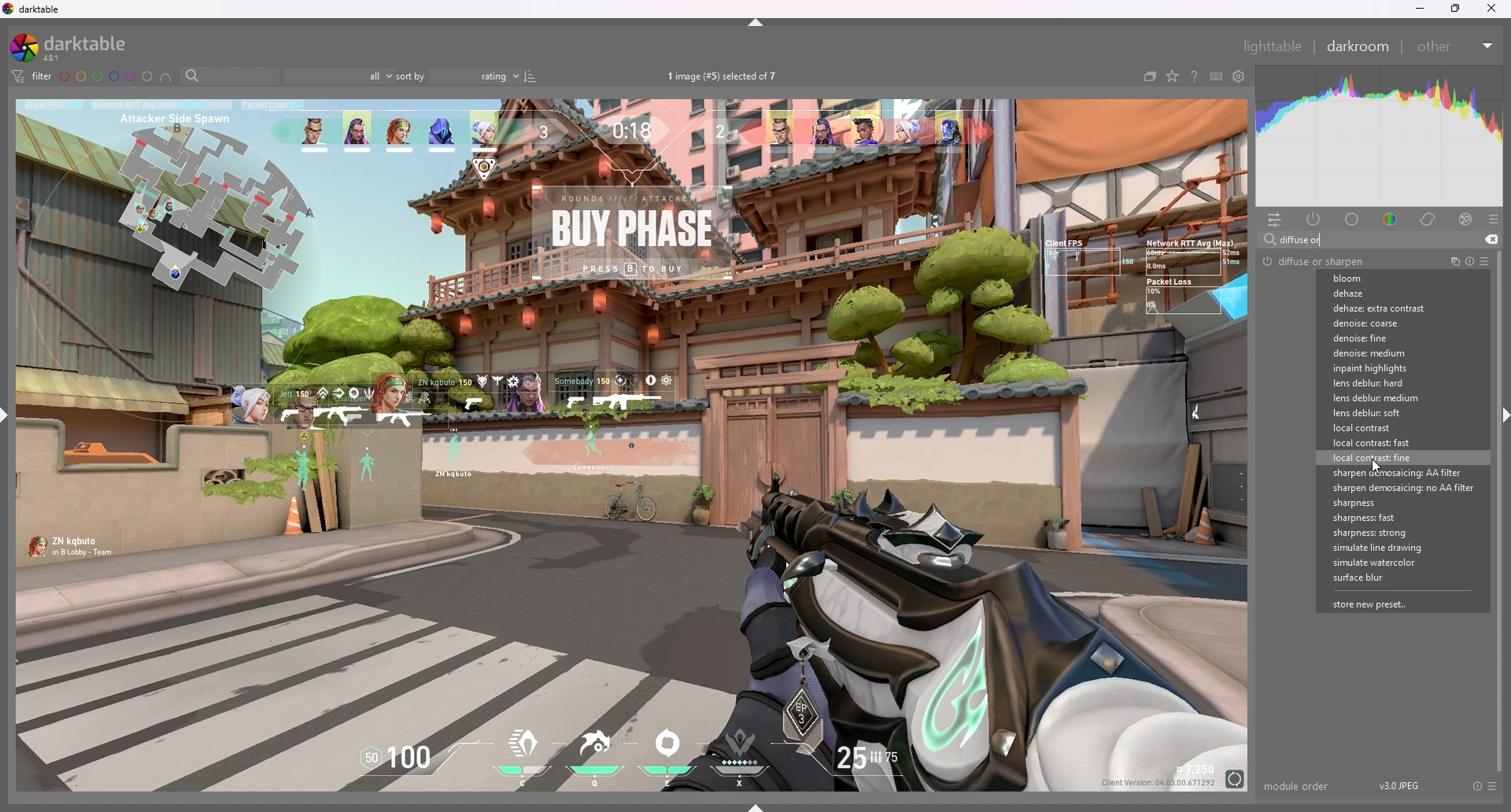 The width and height of the screenshot is (1511, 812). I want to click on search bar, so click(230, 76).